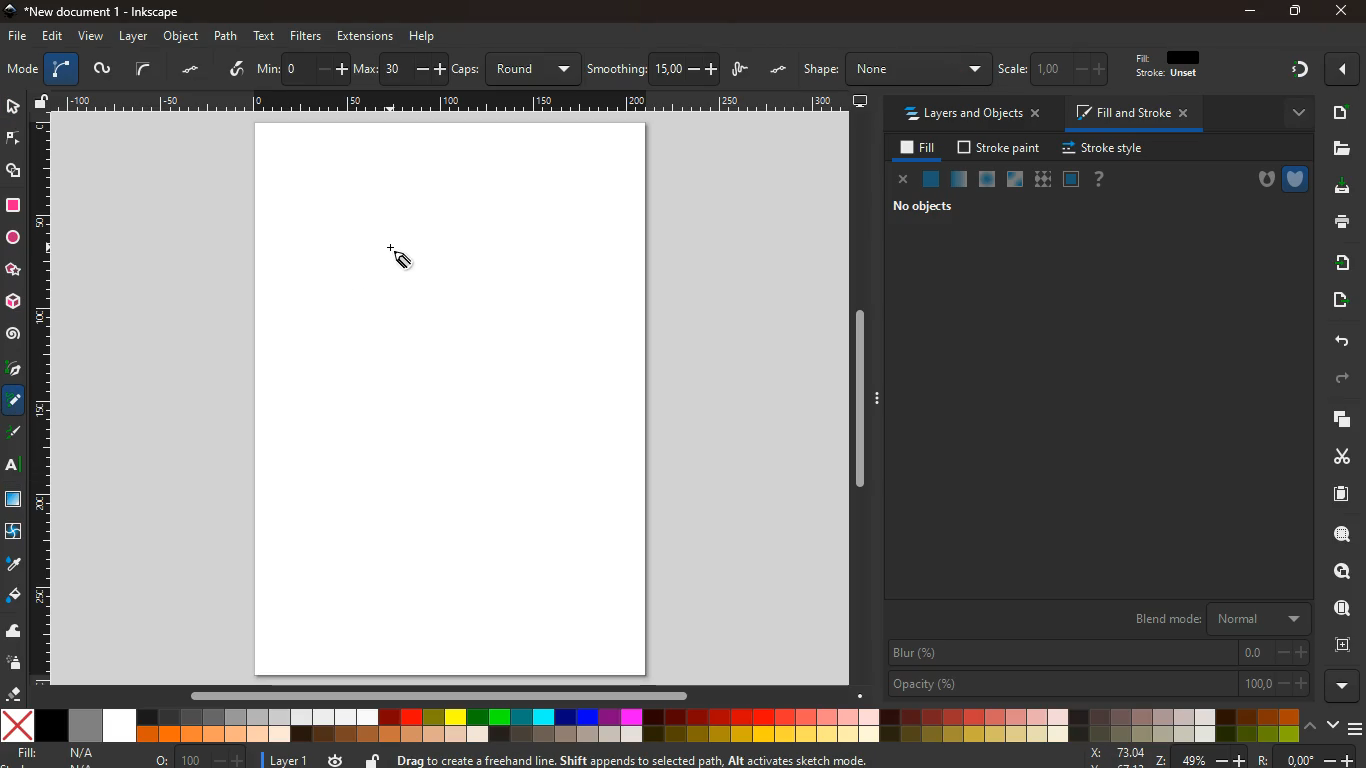  What do you see at coordinates (14, 632) in the screenshot?
I see `wave` at bounding box center [14, 632].